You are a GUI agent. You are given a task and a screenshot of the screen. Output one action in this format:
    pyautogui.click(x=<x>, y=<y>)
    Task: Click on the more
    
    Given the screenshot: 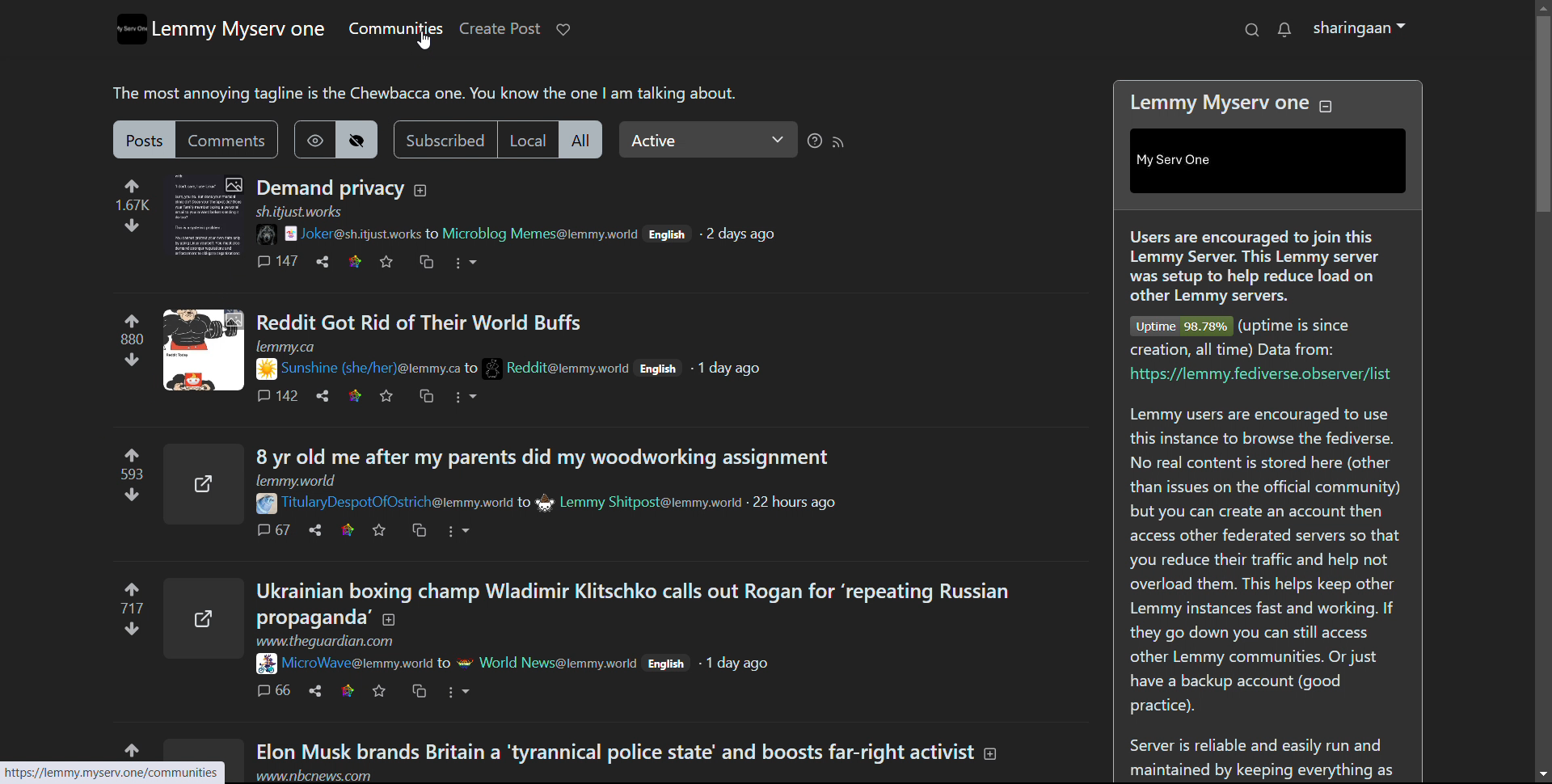 What is the action you would take?
    pyautogui.click(x=461, y=689)
    